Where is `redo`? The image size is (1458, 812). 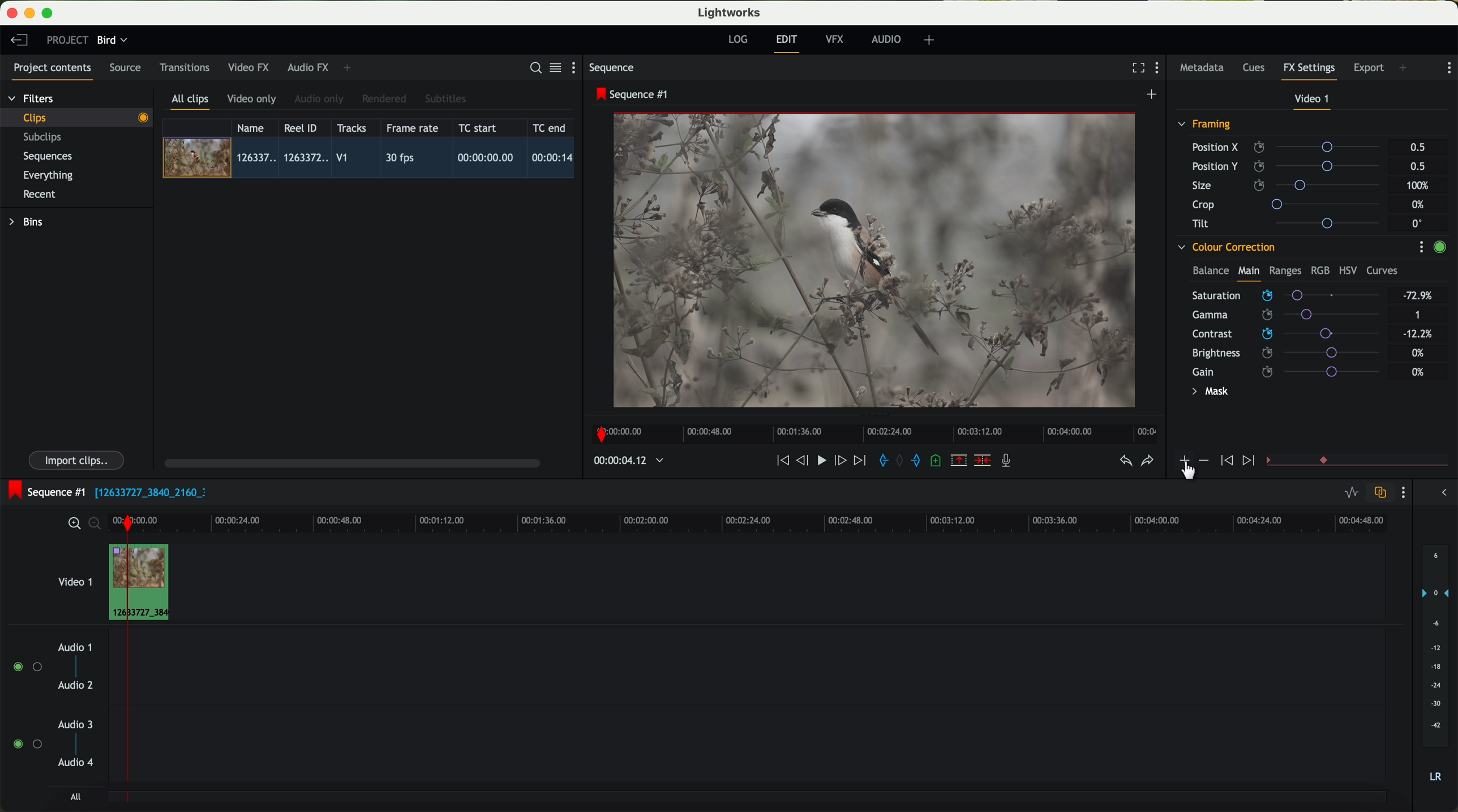
redo is located at coordinates (1147, 462).